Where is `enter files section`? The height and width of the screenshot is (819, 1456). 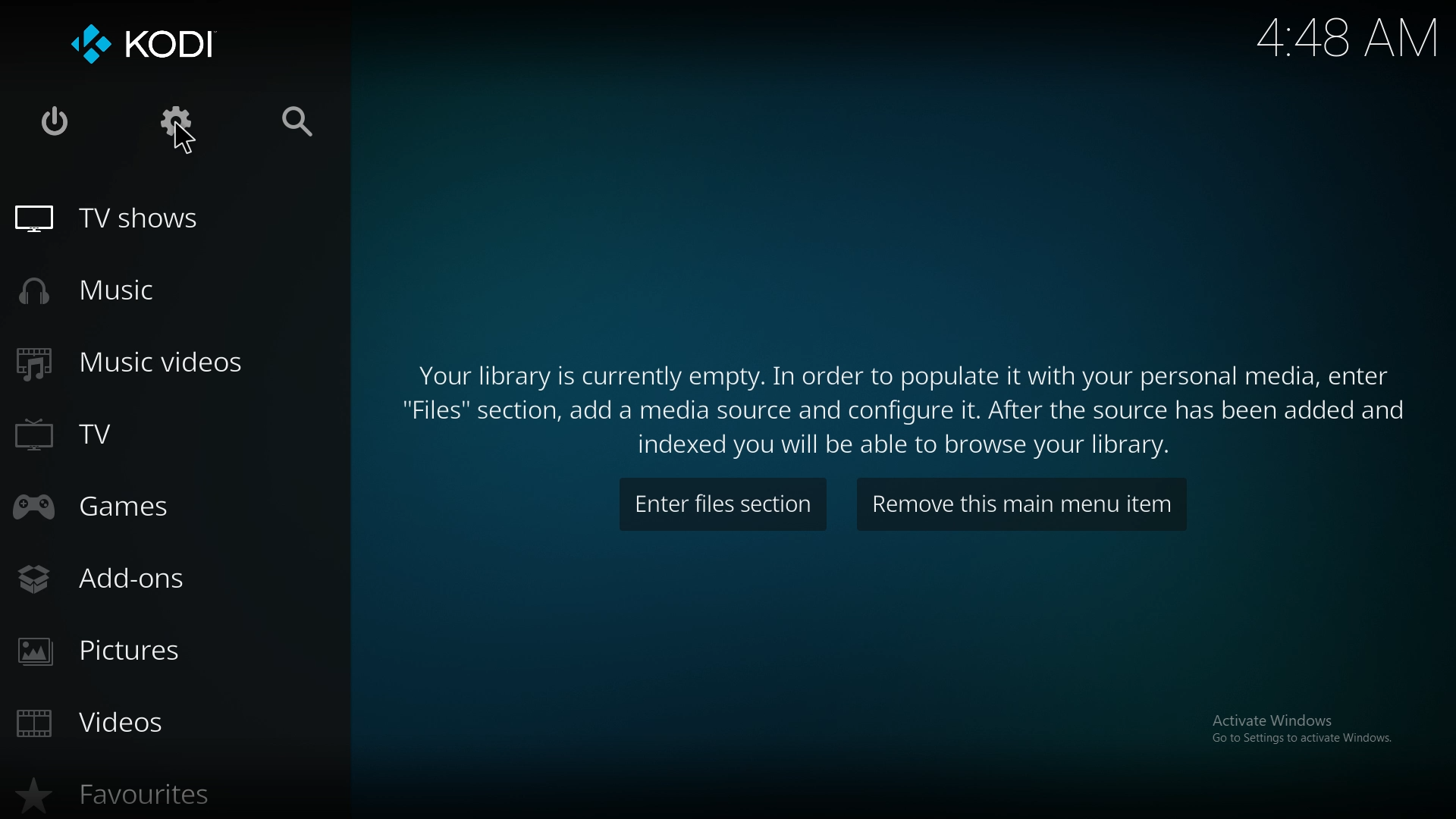 enter files section is located at coordinates (724, 506).